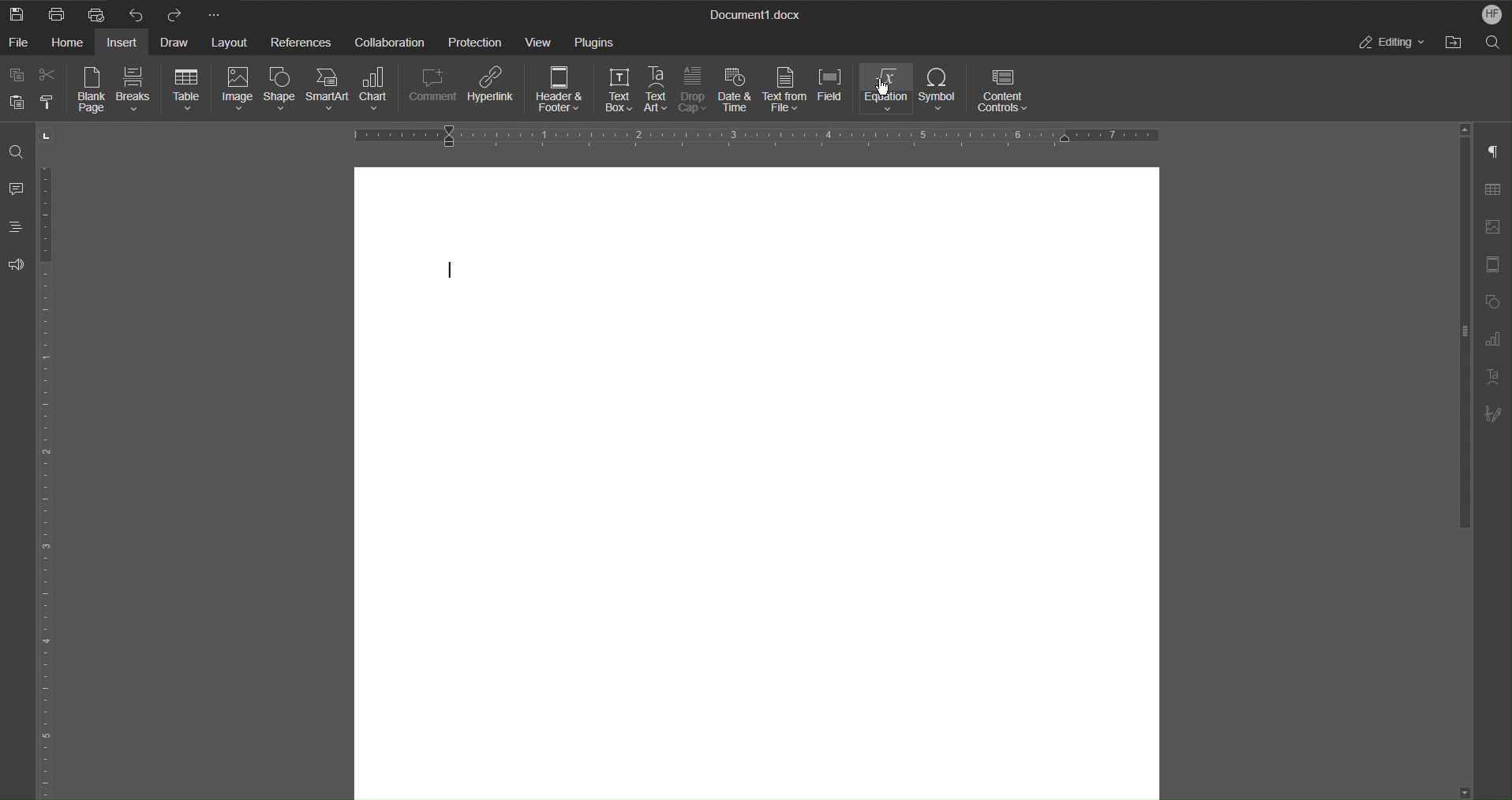 This screenshot has width=1512, height=800. What do you see at coordinates (755, 13) in the screenshot?
I see `Document Title` at bounding box center [755, 13].